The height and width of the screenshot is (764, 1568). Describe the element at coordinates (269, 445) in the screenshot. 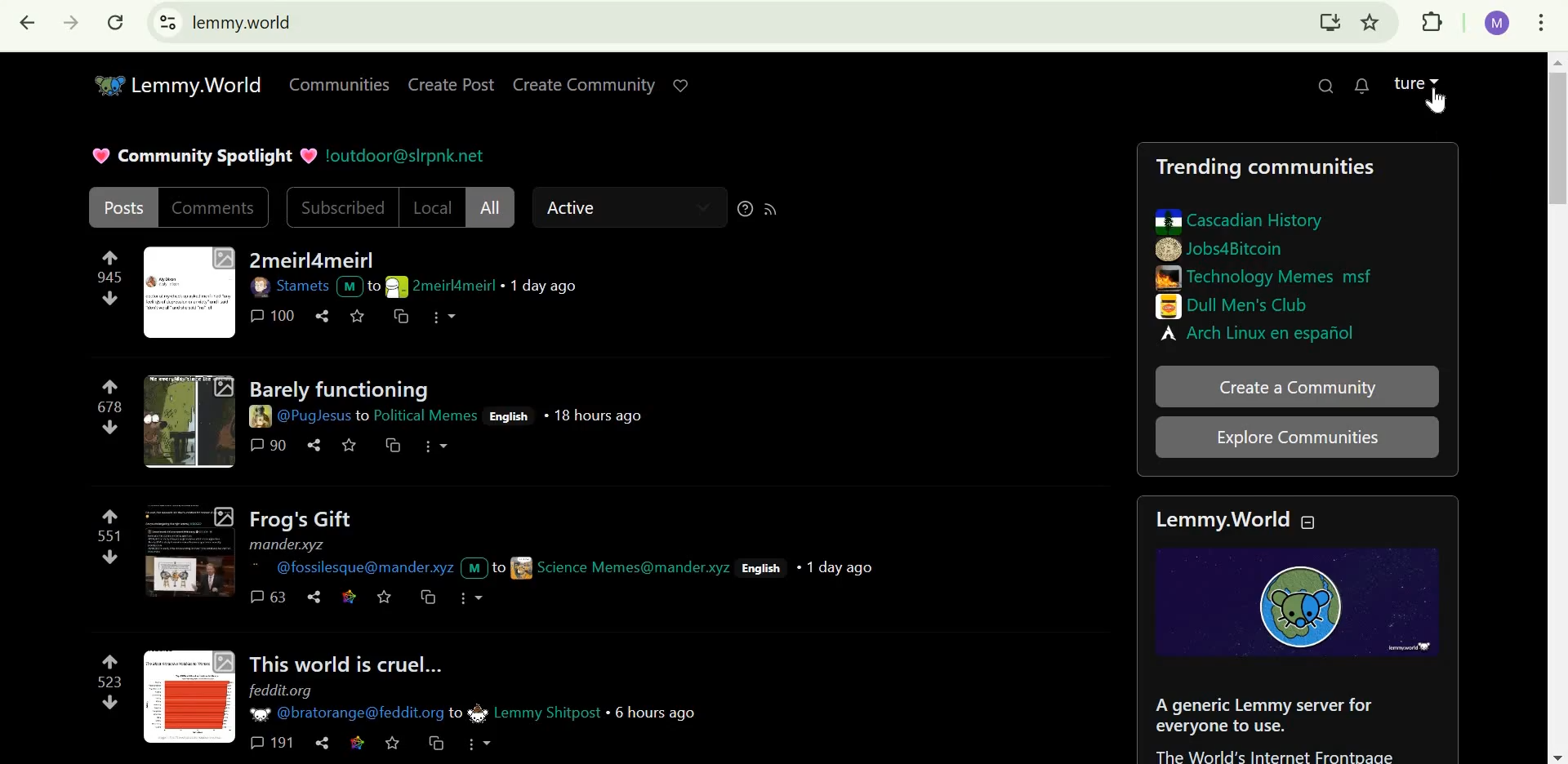

I see `90 comments` at that location.